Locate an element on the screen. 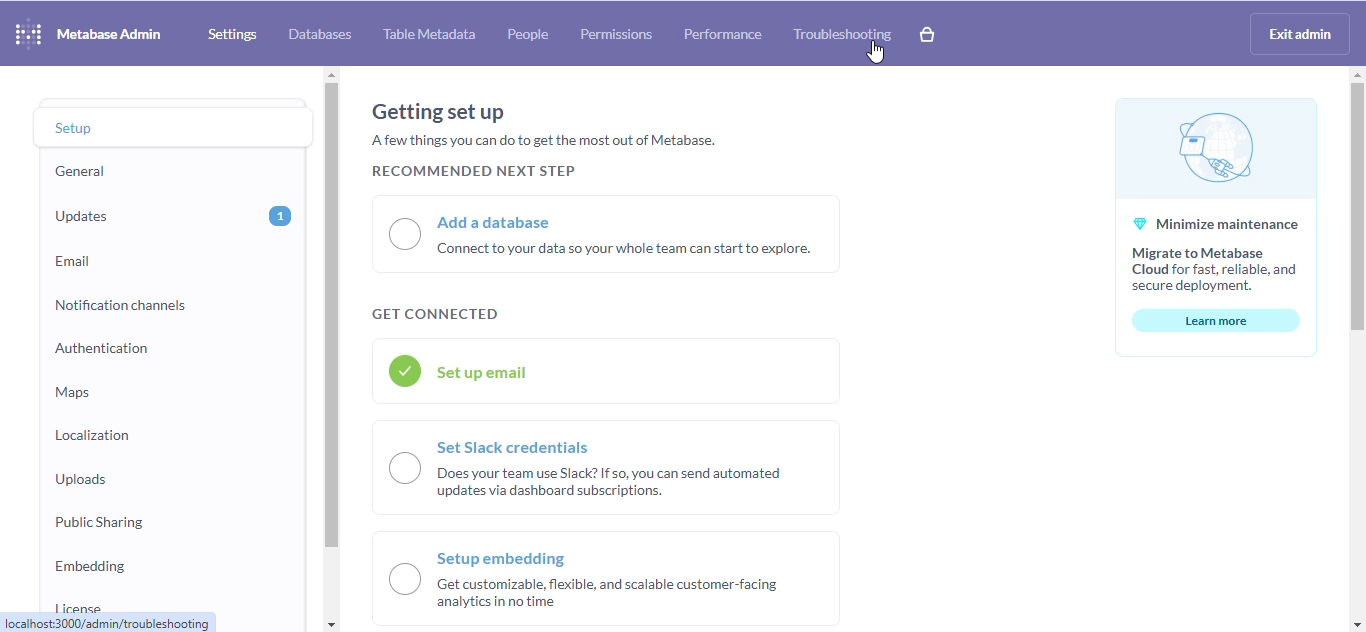 The height and width of the screenshot is (632, 1366). explore paid features is located at coordinates (927, 34).